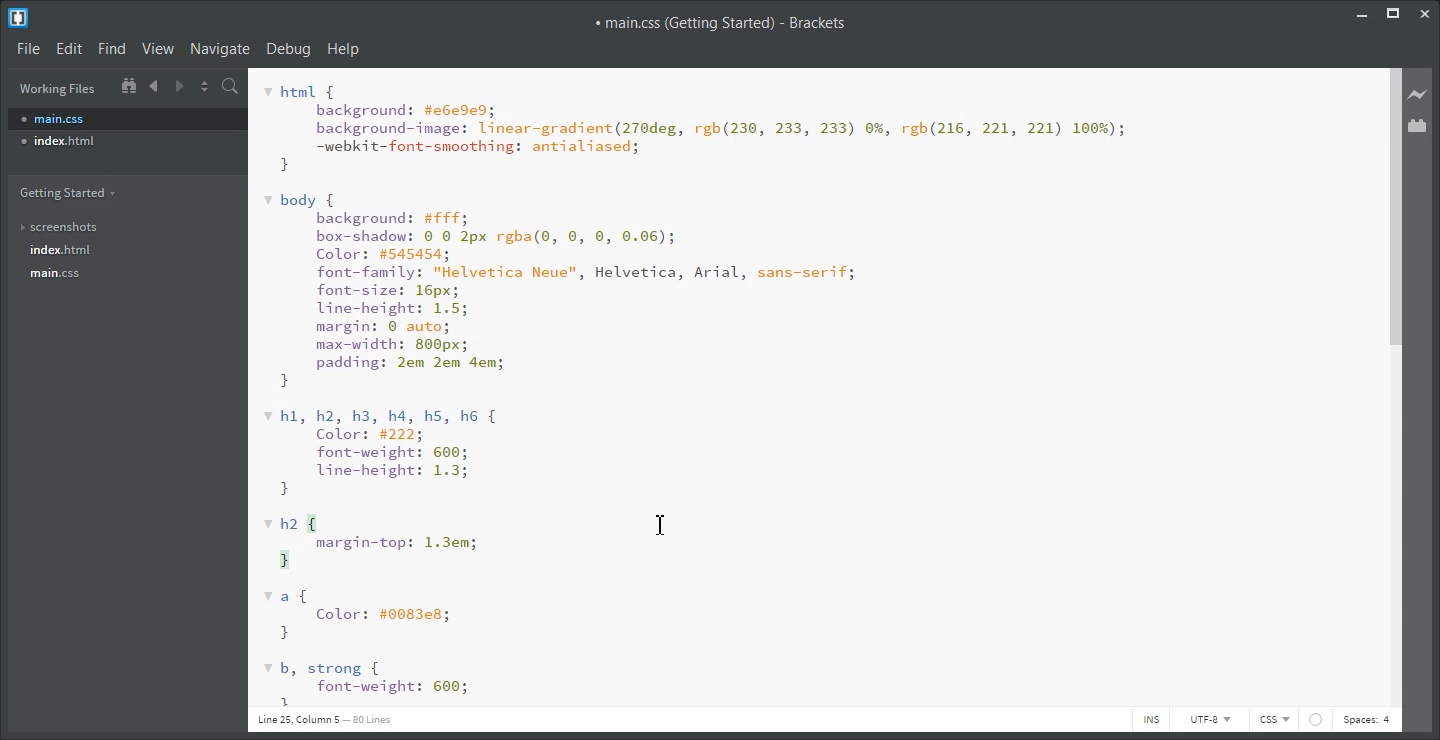  Describe the element at coordinates (326, 719) in the screenshot. I see `Line 19, Column 25 — 80 Lines` at that location.